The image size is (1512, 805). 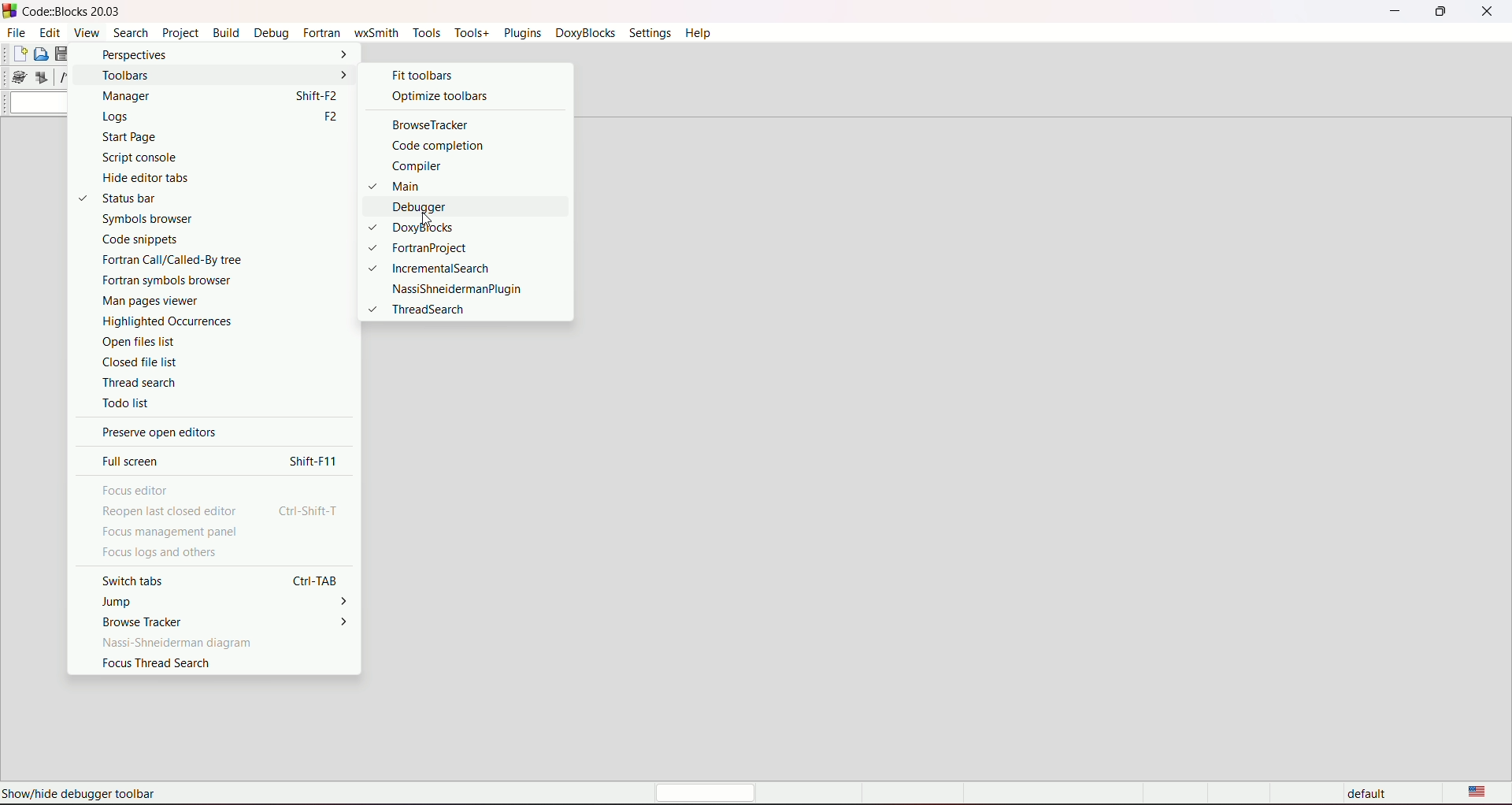 I want to click on wxsmith, so click(x=375, y=32).